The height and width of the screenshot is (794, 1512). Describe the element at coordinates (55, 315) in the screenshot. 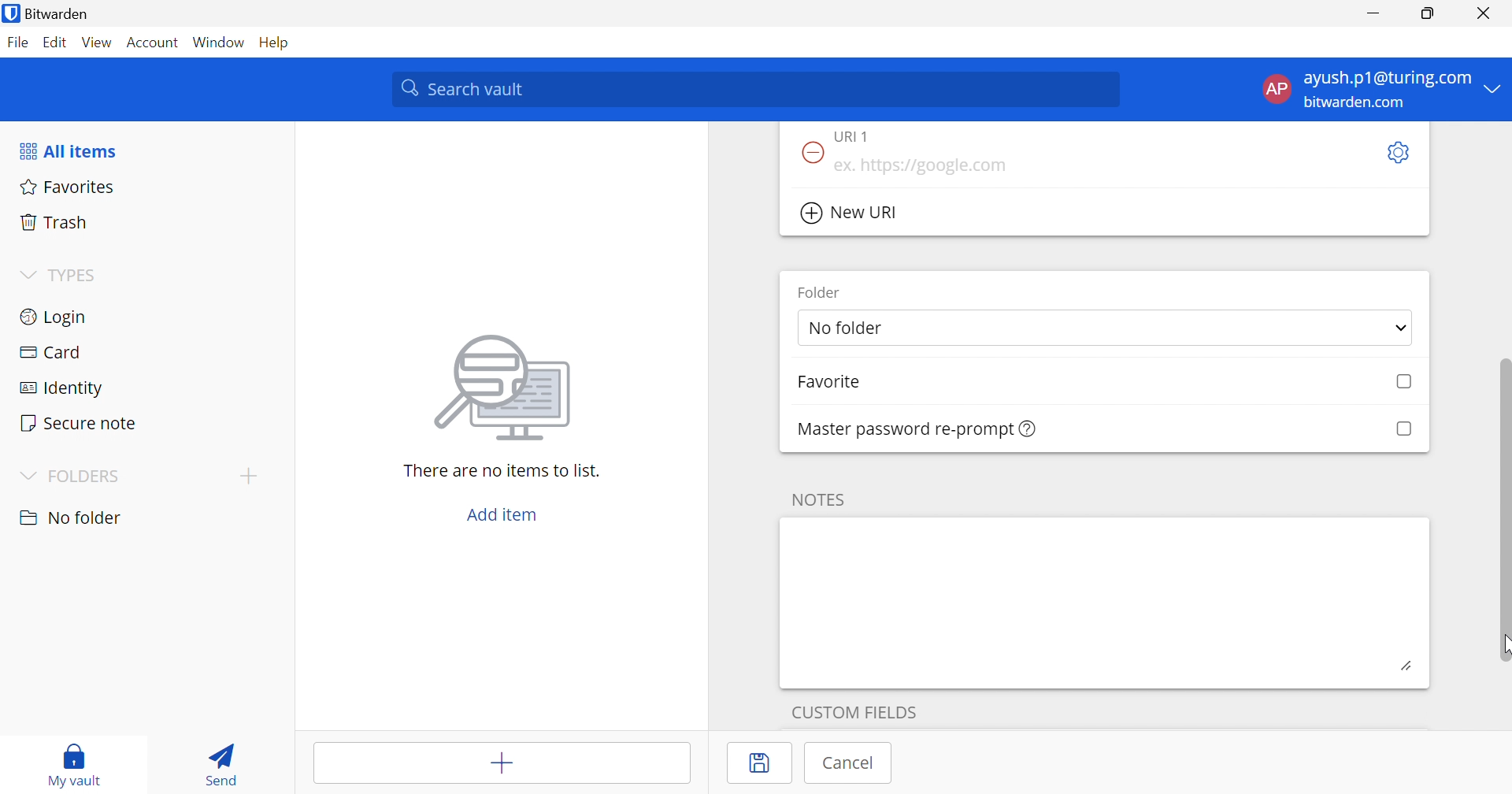

I see `Login` at that location.